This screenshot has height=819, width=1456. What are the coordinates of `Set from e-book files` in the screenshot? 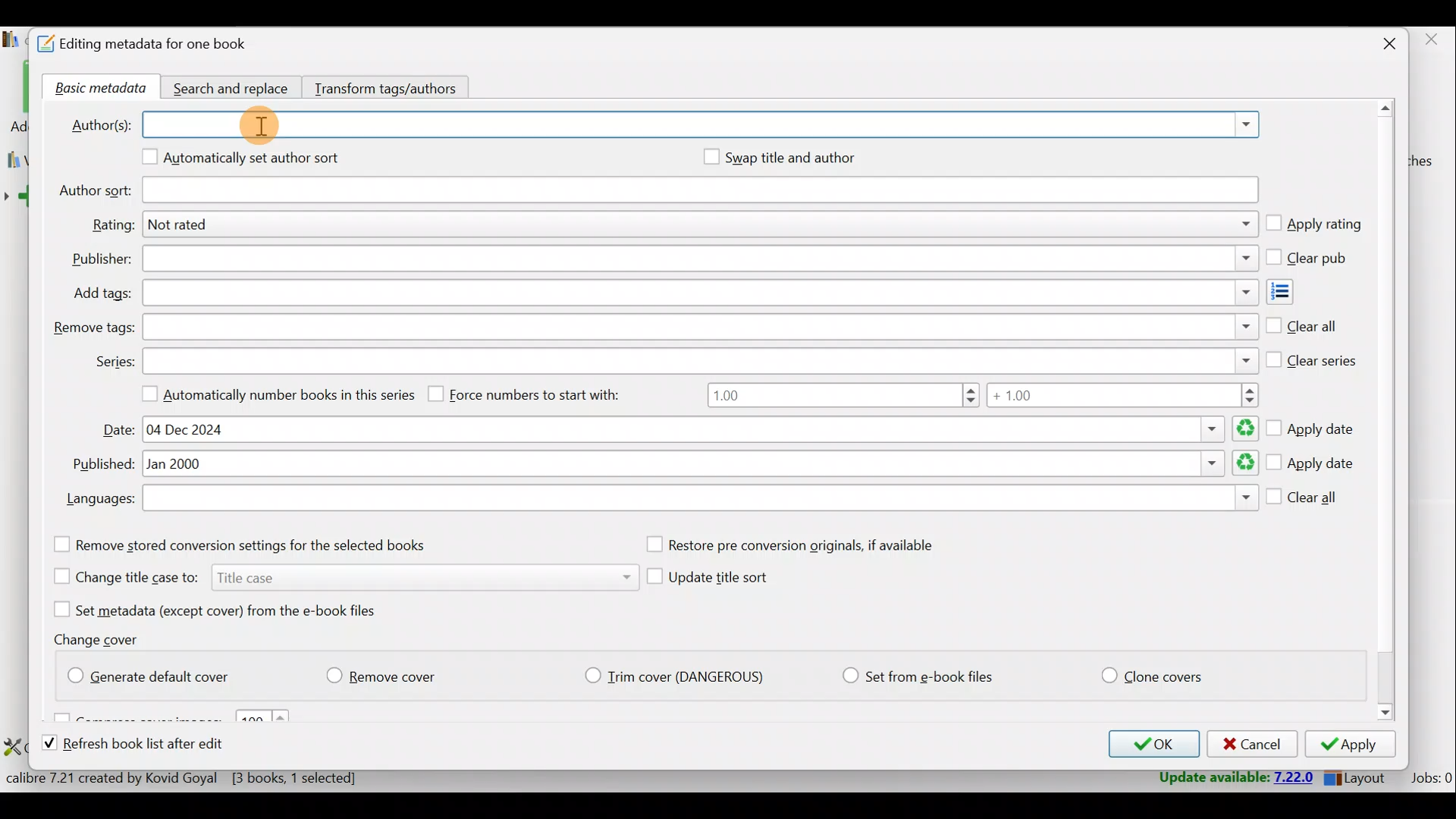 It's located at (917, 676).